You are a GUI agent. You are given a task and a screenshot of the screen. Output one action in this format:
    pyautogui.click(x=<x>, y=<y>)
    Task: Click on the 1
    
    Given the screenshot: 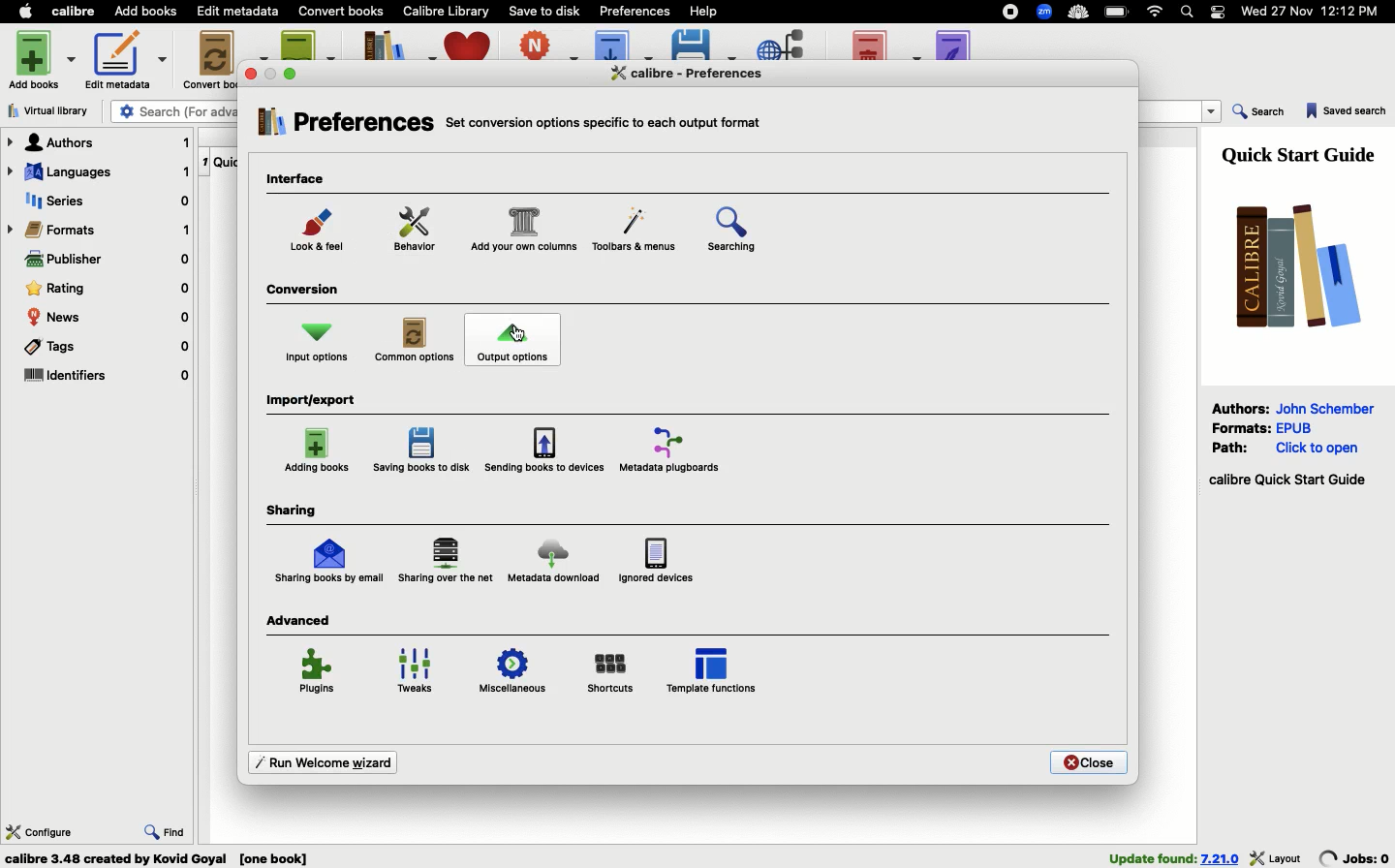 What is the action you would take?
    pyautogui.click(x=204, y=159)
    